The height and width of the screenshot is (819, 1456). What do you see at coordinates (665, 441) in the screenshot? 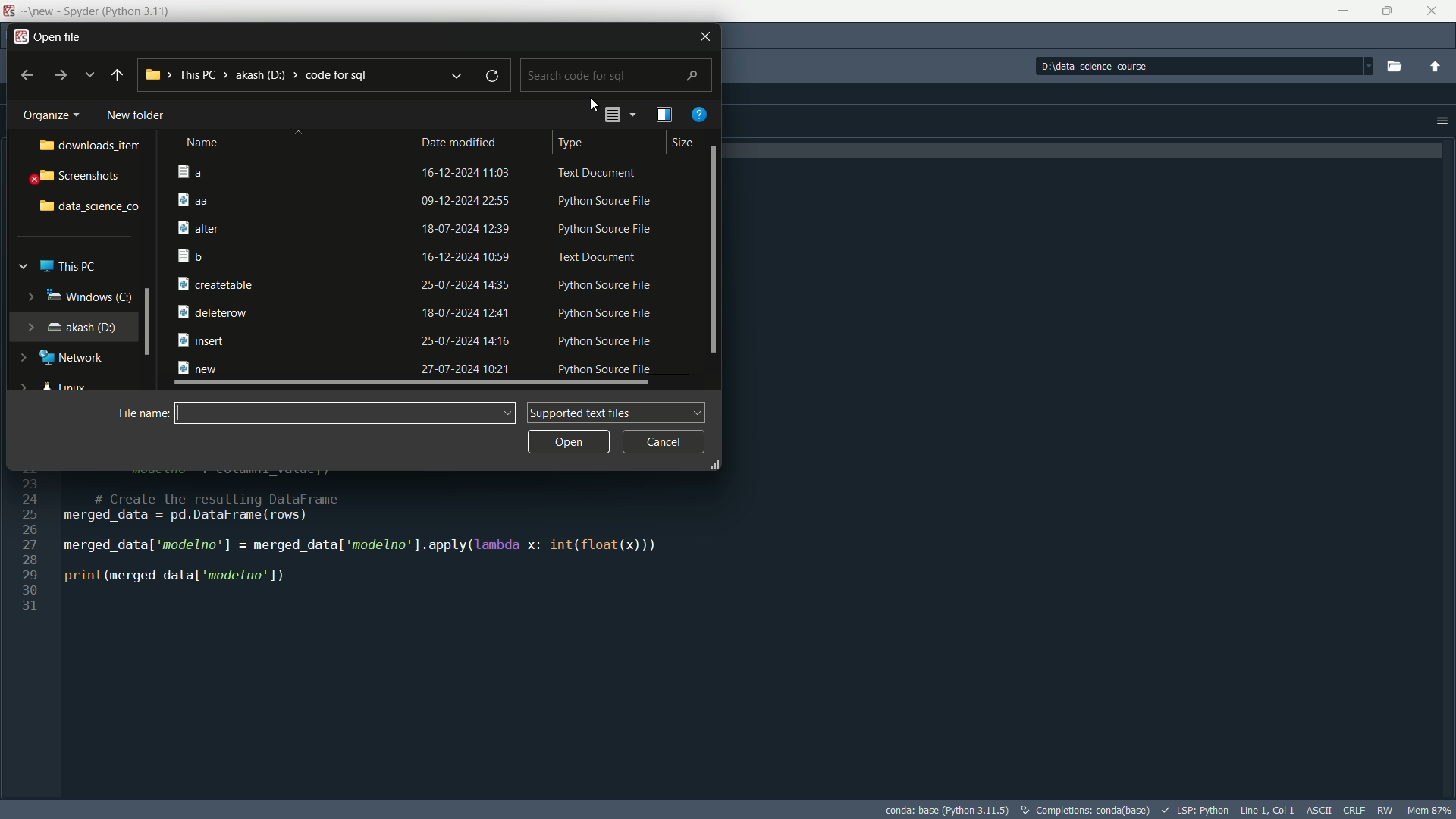
I see `cancel` at bounding box center [665, 441].